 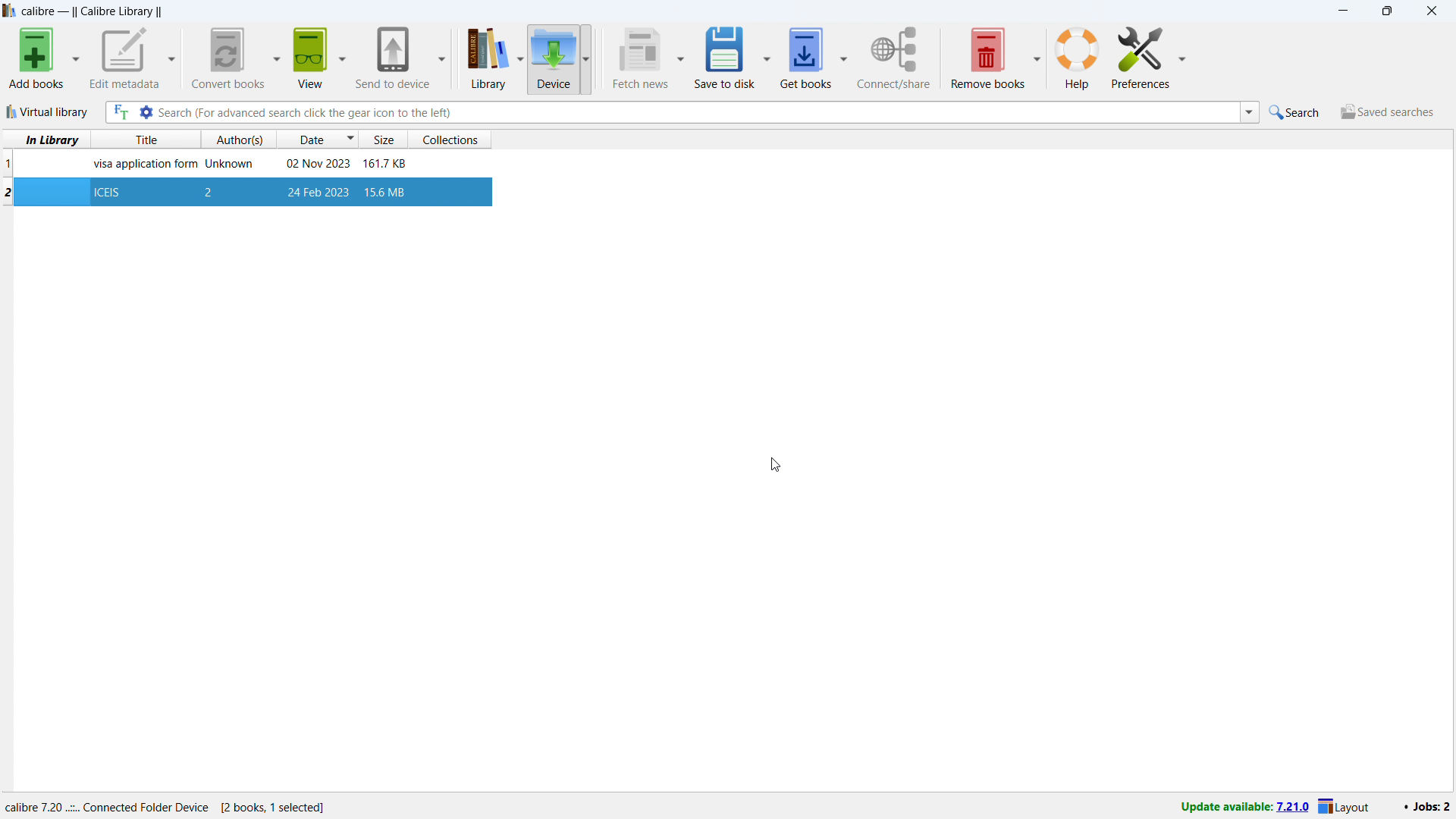 I want to click on layout, so click(x=1347, y=807).